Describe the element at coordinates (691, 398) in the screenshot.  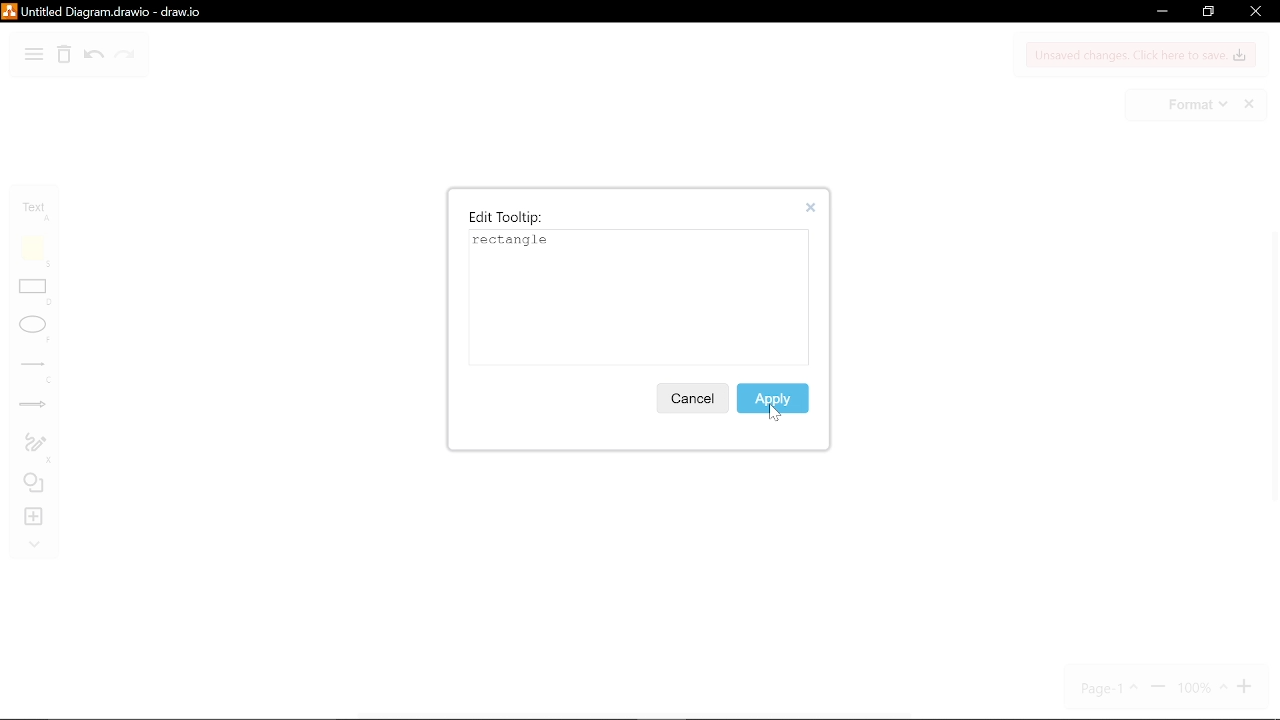
I see `cancel` at that location.